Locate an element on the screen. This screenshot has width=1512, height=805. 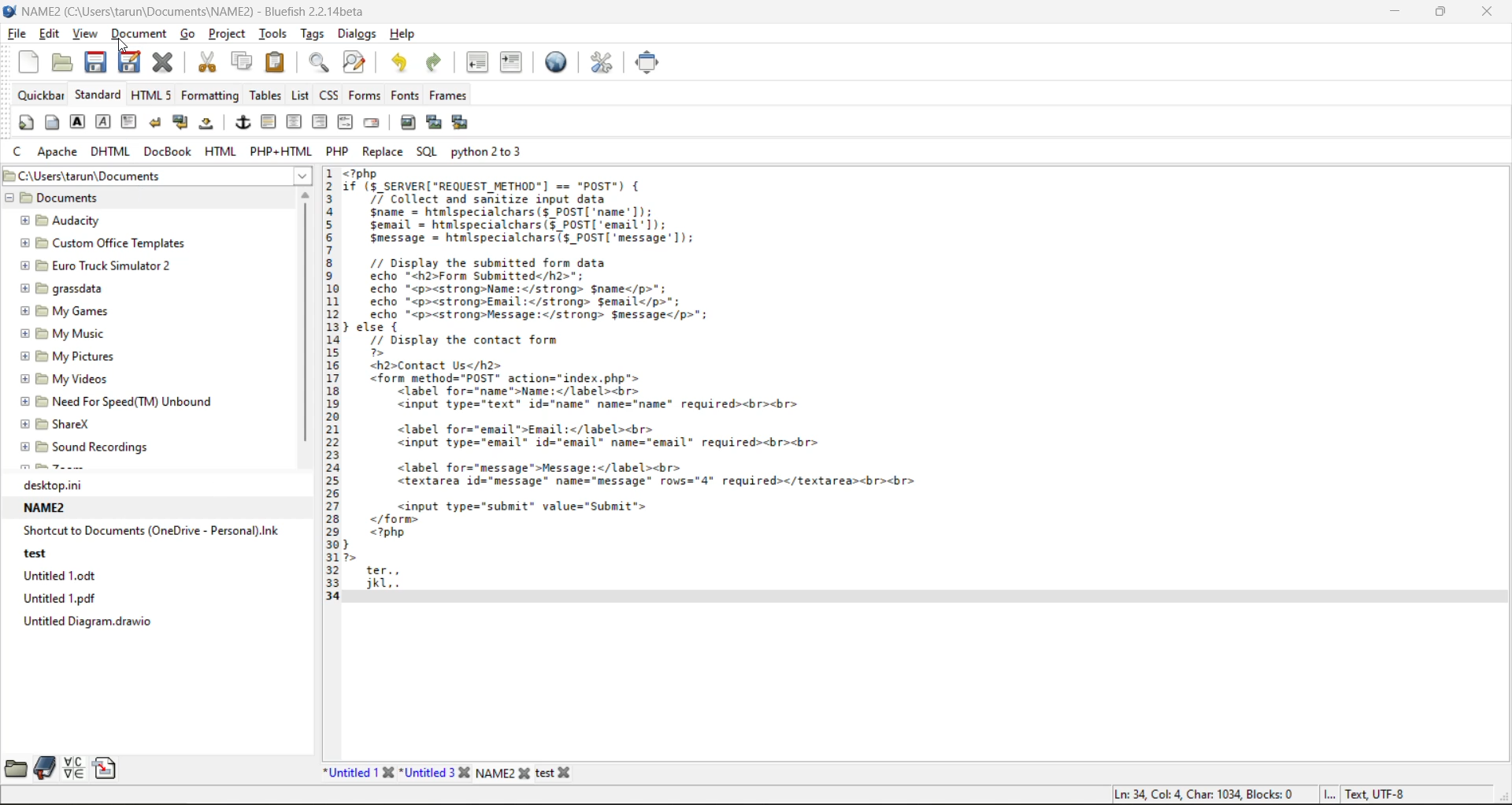
documents is located at coordinates (95, 199).